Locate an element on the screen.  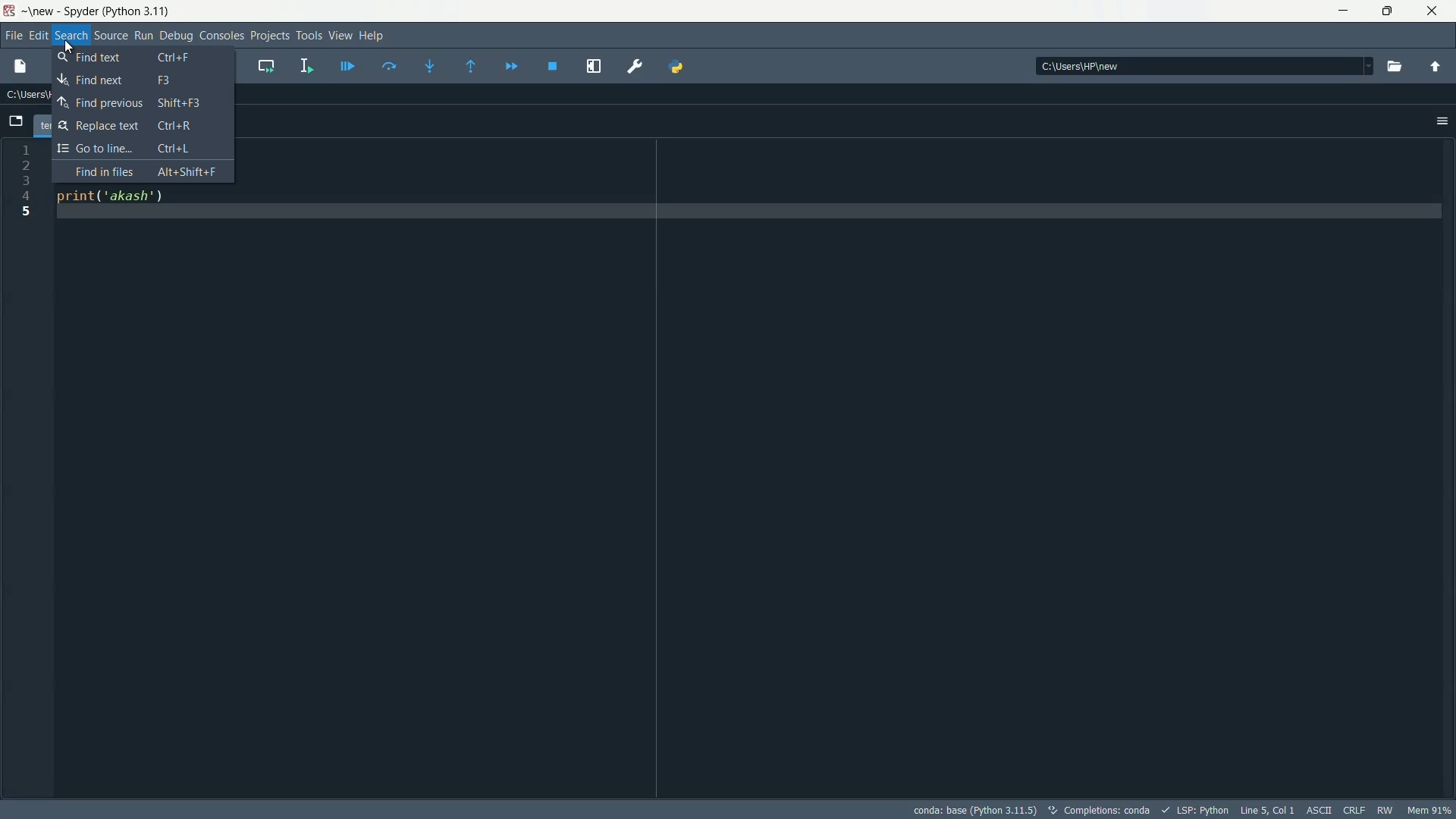
preferences is located at coordinates (633, 66).